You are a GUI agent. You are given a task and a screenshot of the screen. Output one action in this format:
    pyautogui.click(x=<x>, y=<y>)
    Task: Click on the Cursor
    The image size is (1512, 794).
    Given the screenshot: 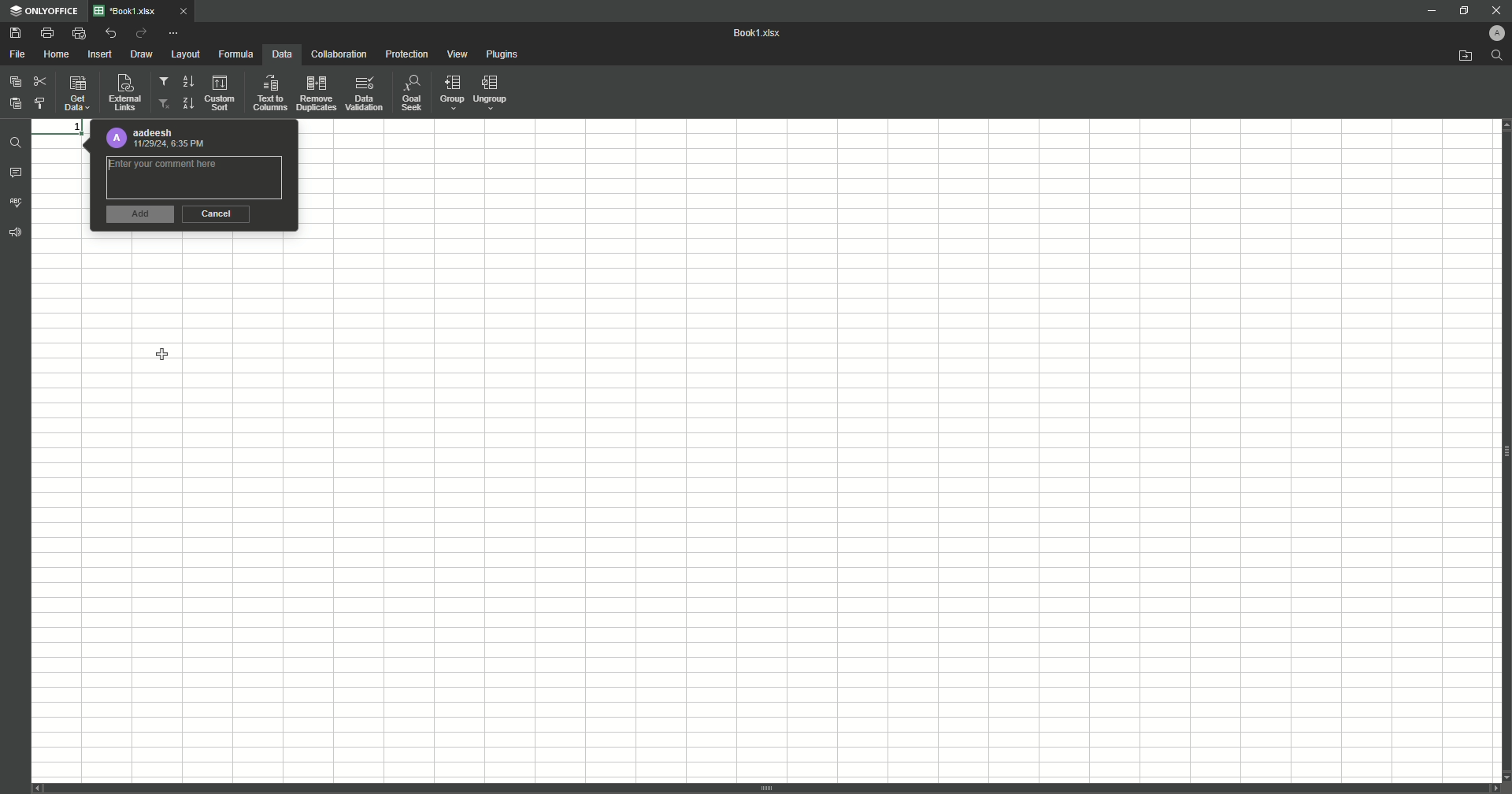 What is the action you would take?
    pyautogui.click(x=167, y=352)
    